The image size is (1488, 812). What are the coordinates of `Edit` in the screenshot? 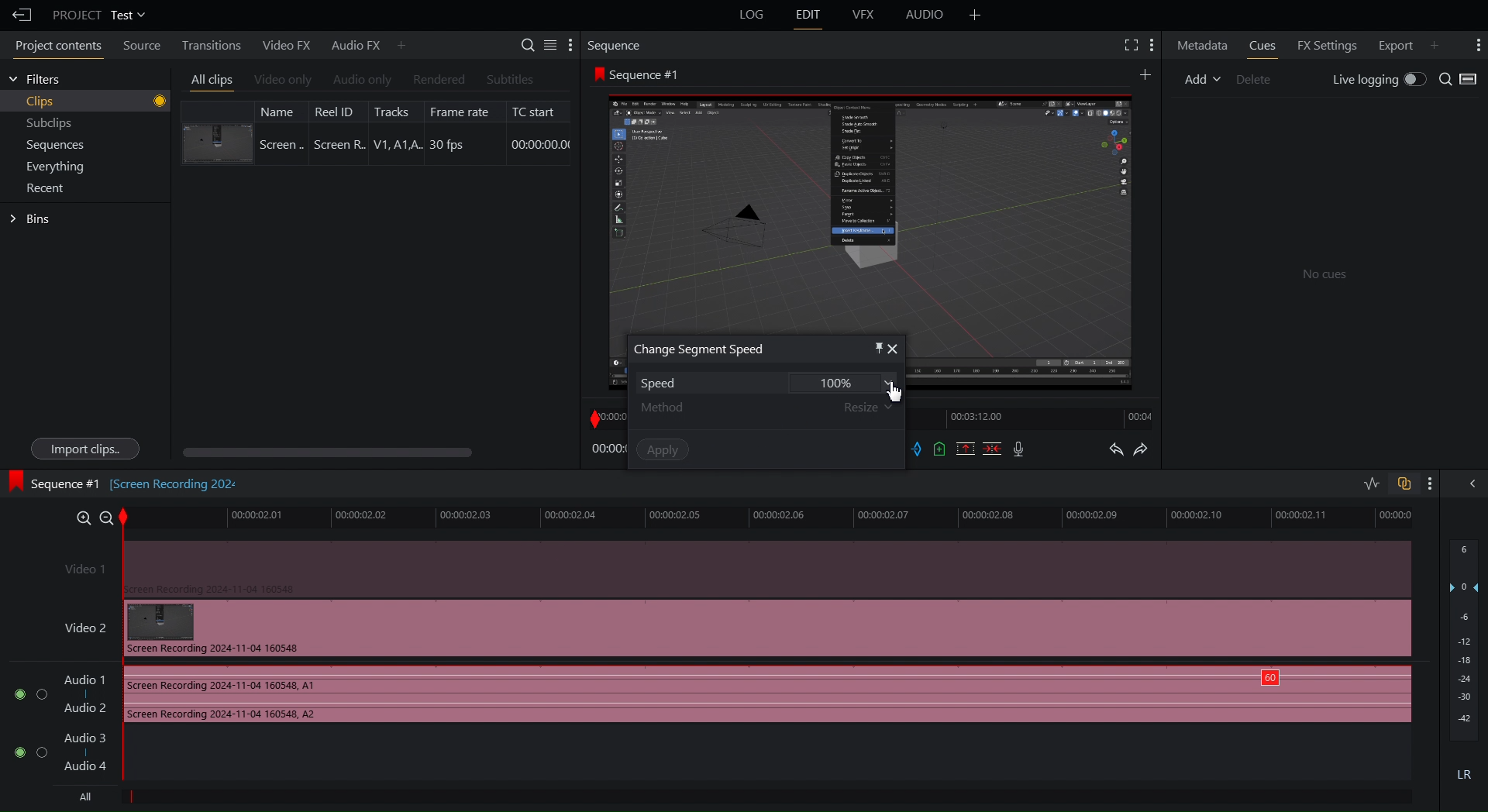 It's located at (808, 15).